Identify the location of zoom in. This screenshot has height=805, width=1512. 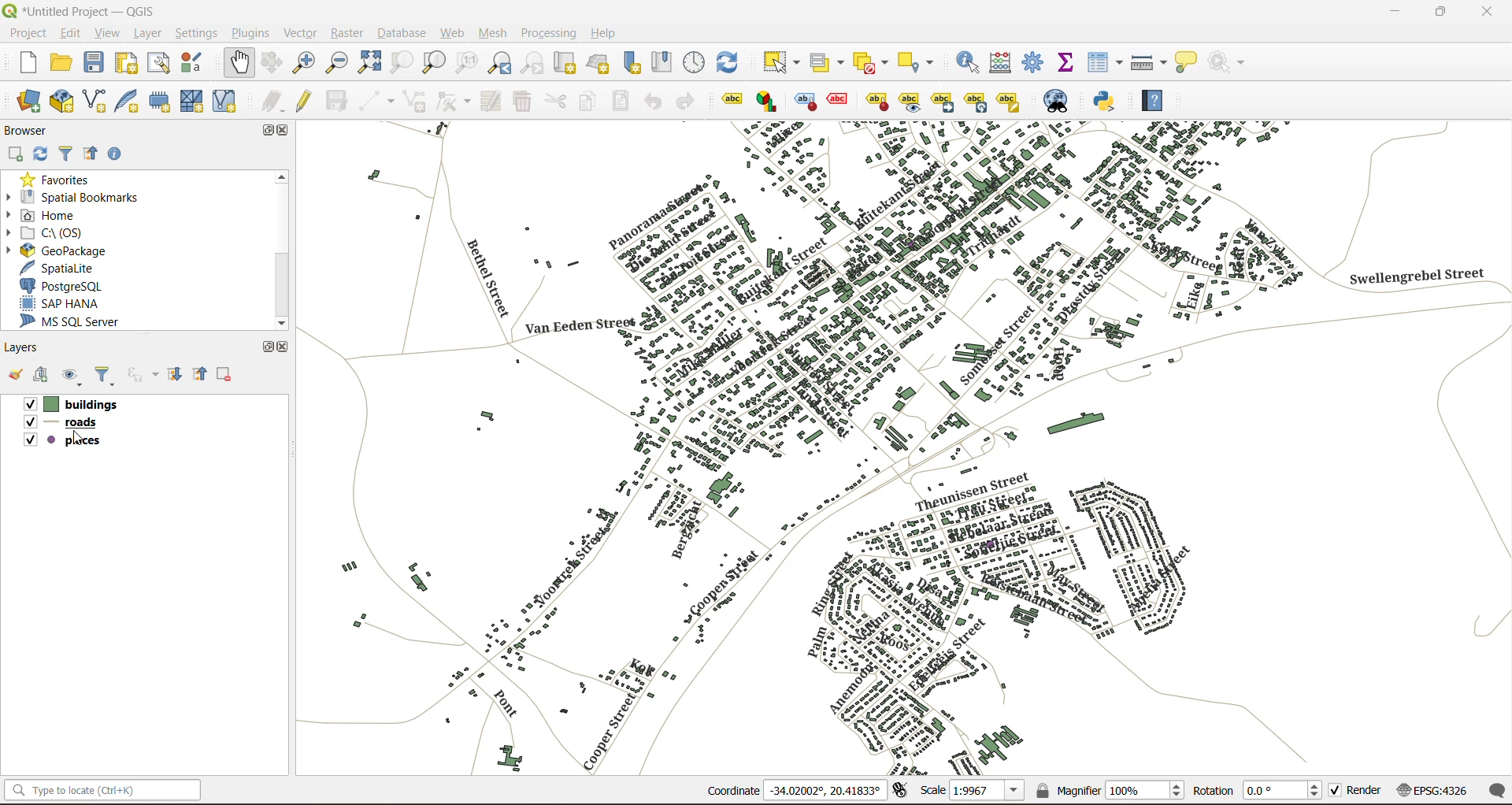
(306, 65).